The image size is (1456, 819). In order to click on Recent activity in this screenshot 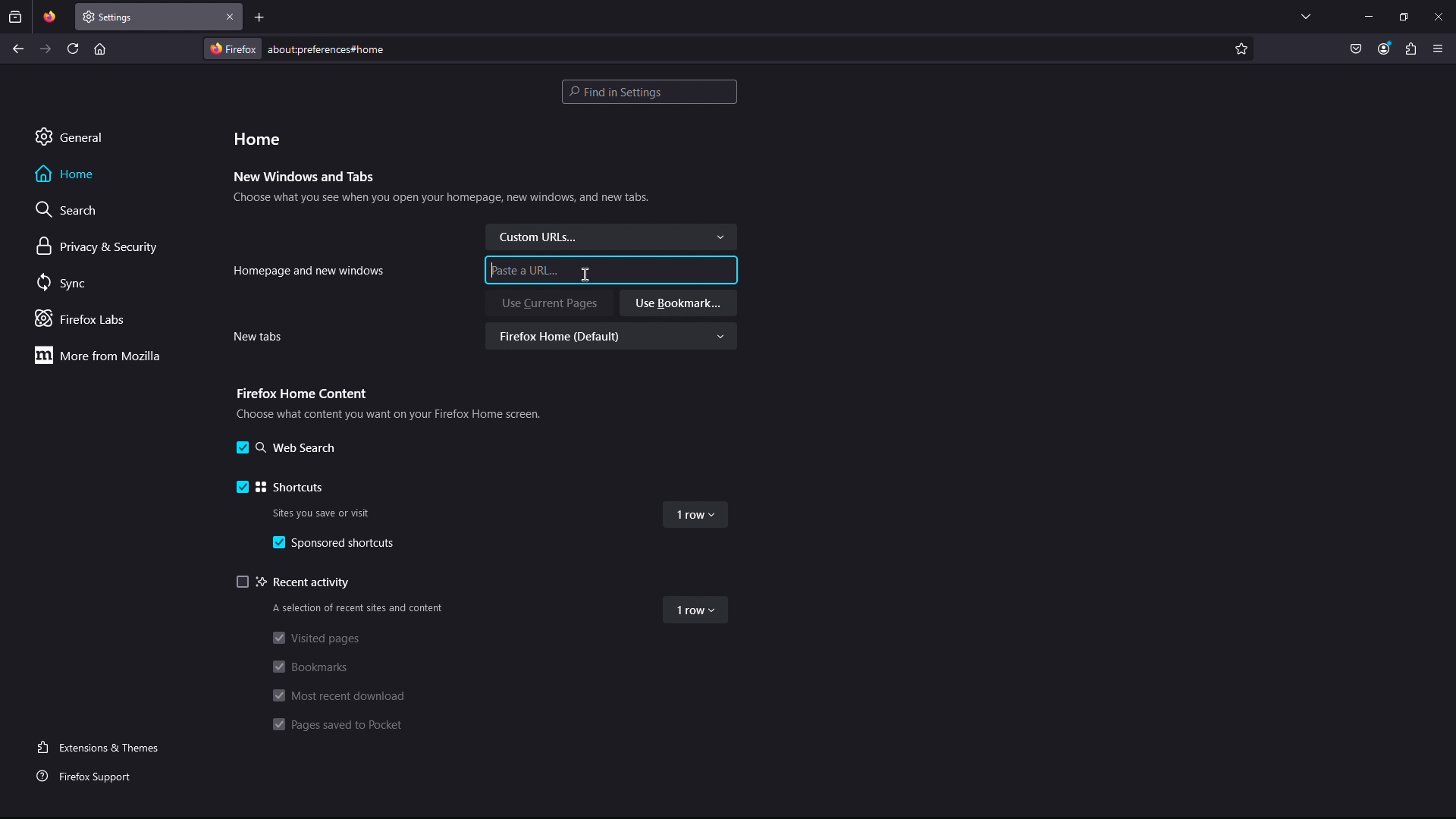, I will do `click(297, 582)`.